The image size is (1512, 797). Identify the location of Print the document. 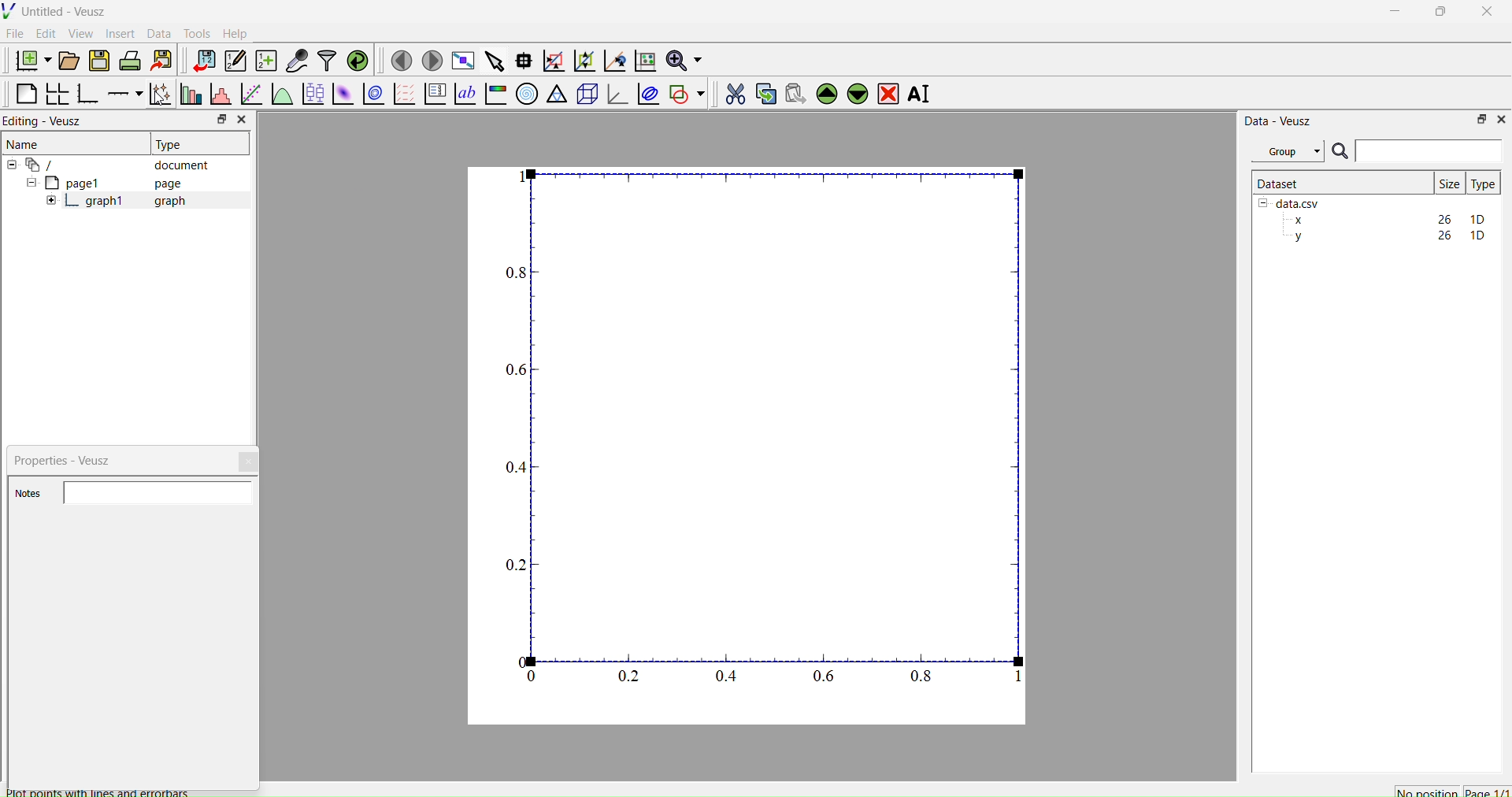
(130, 59).